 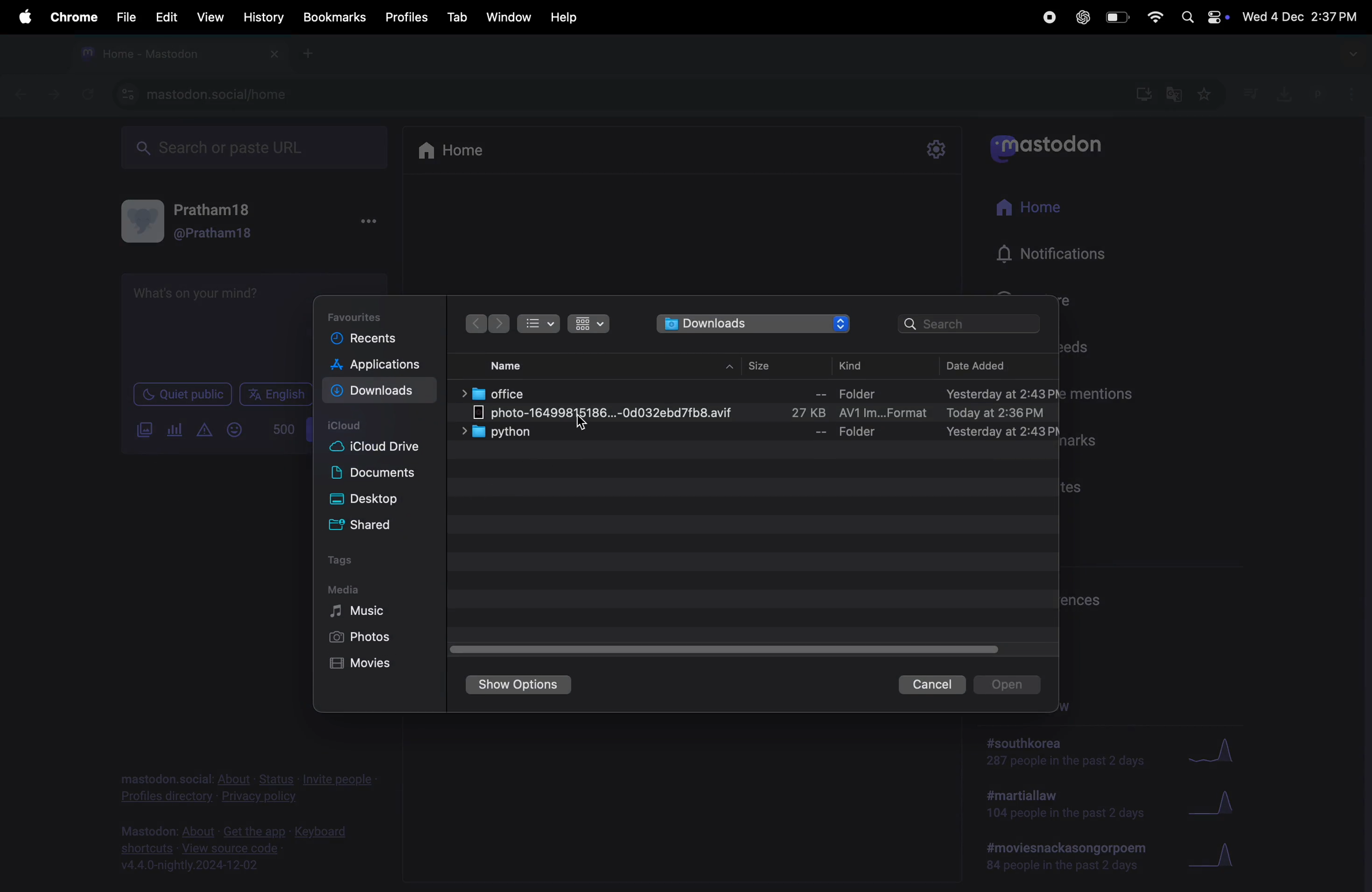 What do you see at coordinates (732, 647) in the screenshot?
I see `toggle bar` at bounding box center [732, 647].